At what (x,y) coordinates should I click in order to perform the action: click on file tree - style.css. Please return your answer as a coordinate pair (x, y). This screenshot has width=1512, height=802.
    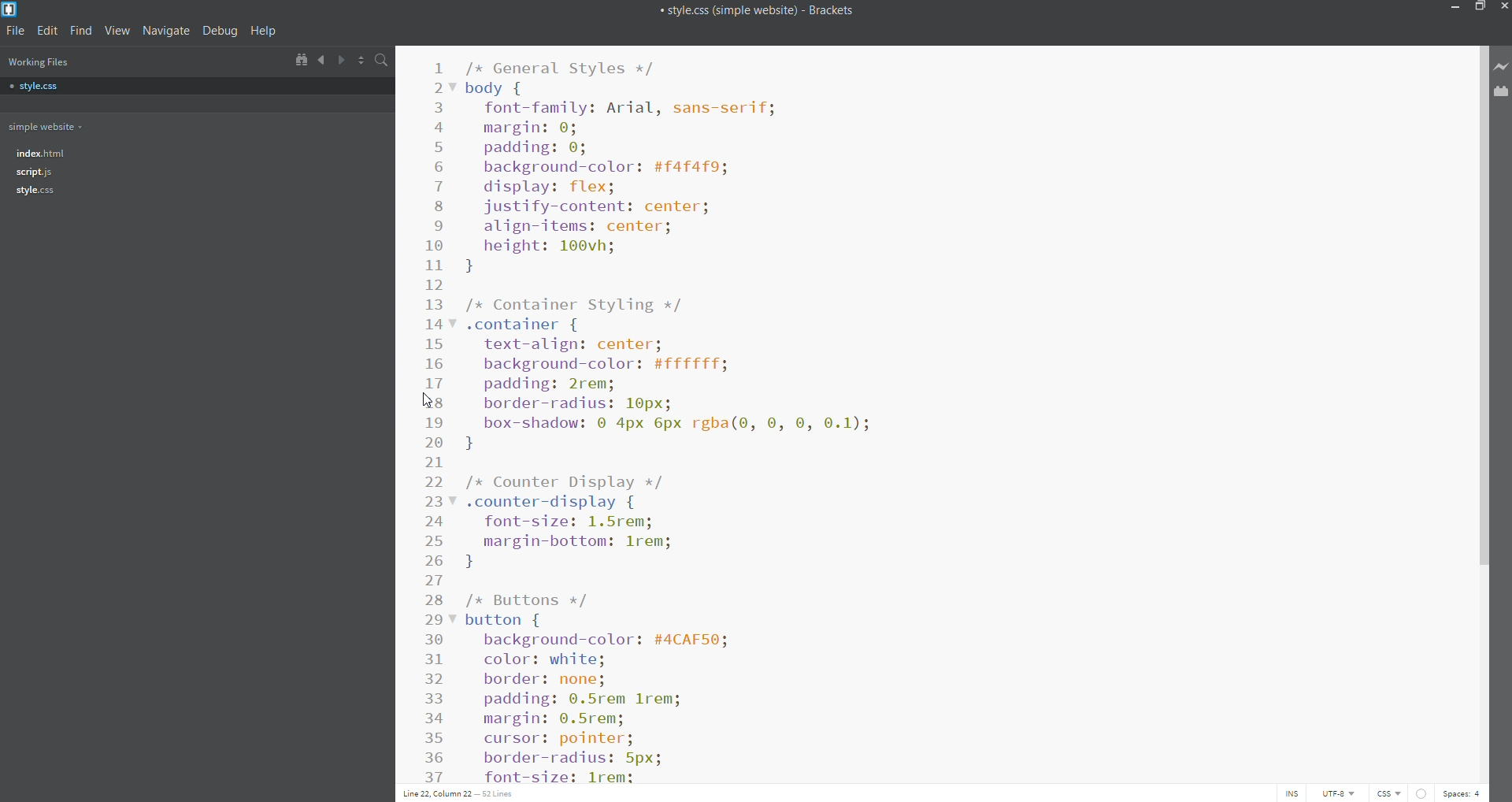
    Looking at the image, I should click on (35, 191).